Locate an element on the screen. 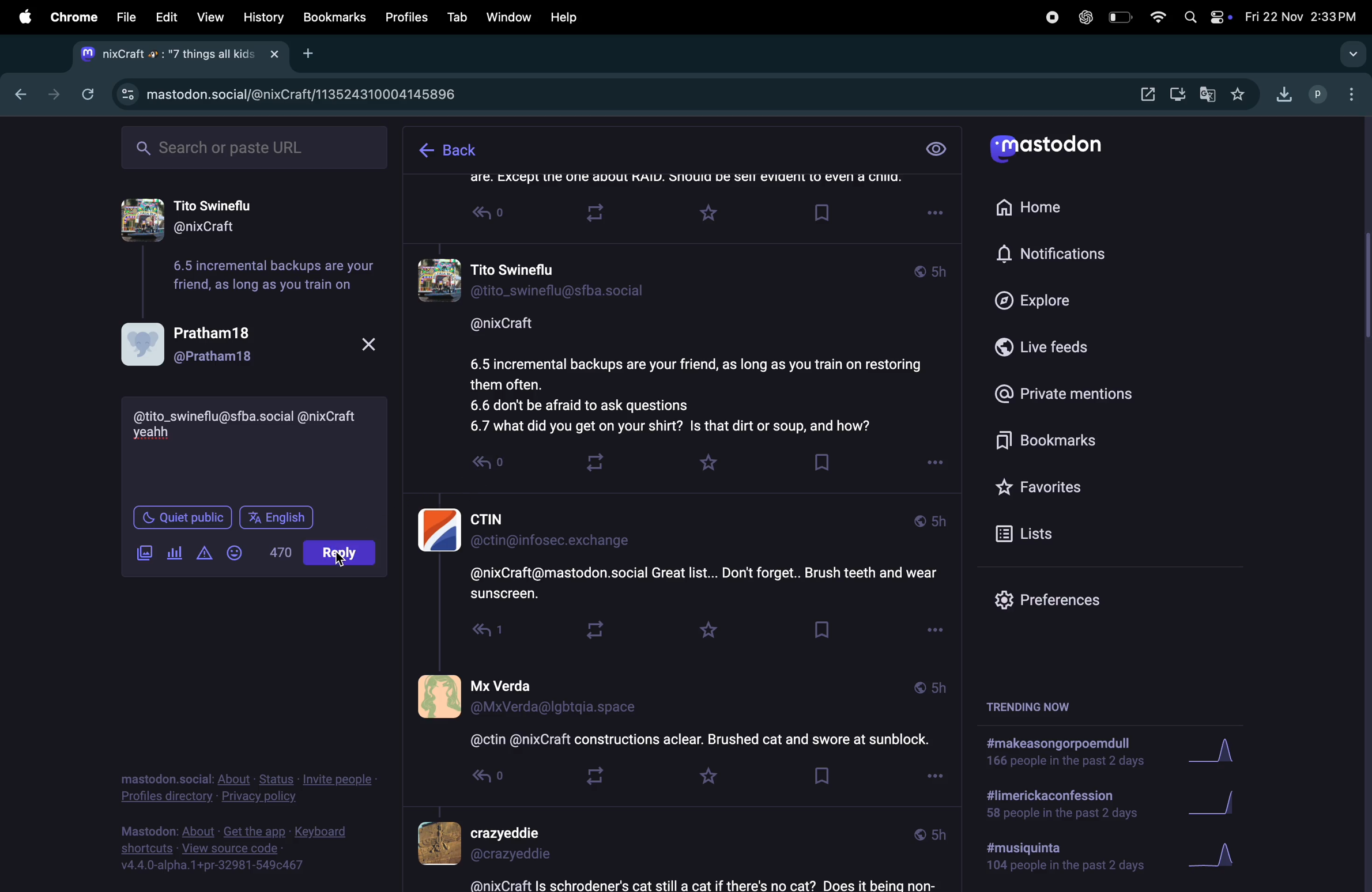  #makeasongorpoemdull
166 people in the past 2 days is located at coordinates (1063, 754).